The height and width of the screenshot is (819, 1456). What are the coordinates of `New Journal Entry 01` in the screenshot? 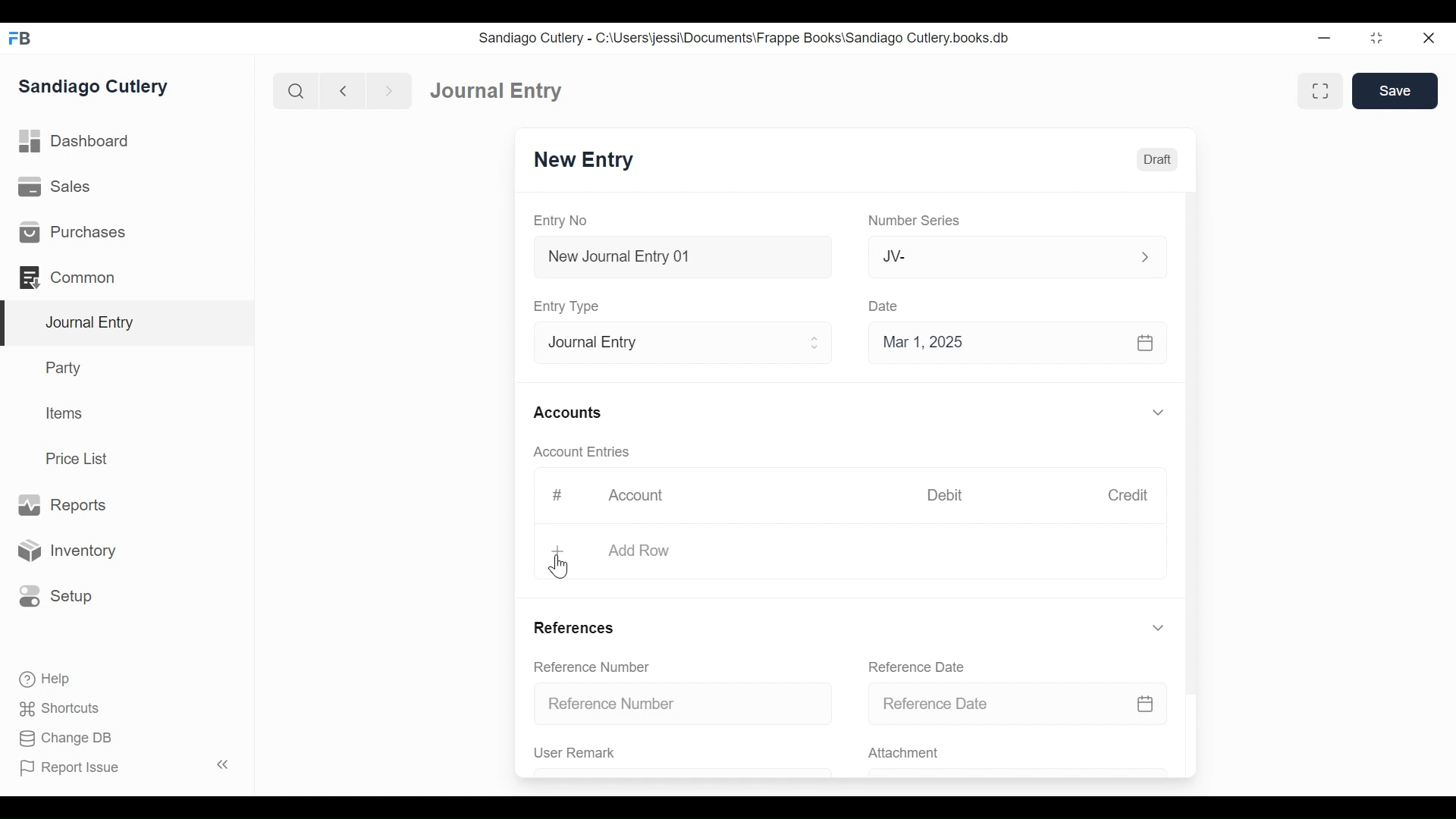 It's located at (678, 256).